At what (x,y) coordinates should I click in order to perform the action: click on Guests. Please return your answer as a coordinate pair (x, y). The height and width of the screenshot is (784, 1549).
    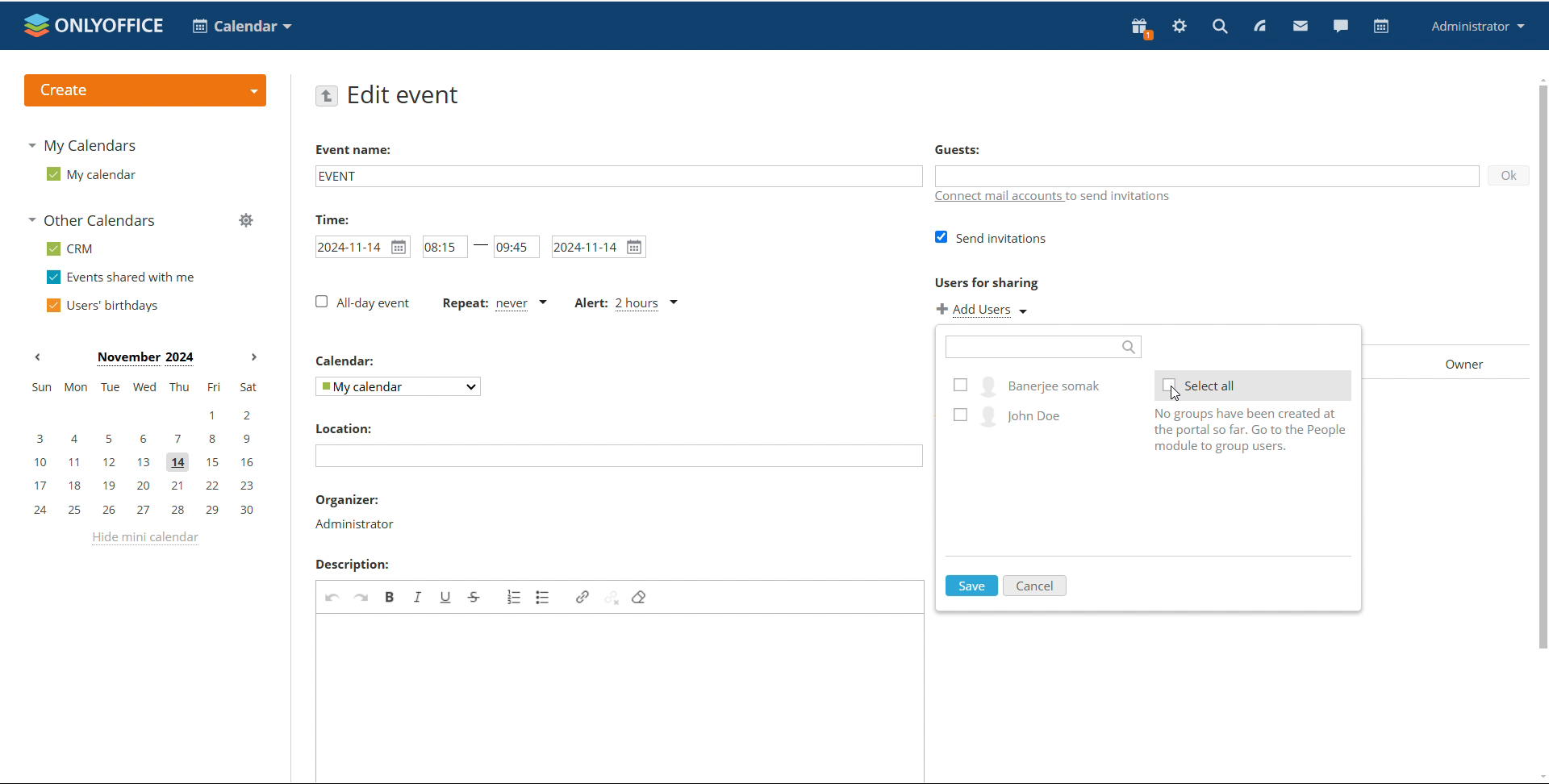
    Looking at the image, I should click on (960, 149).